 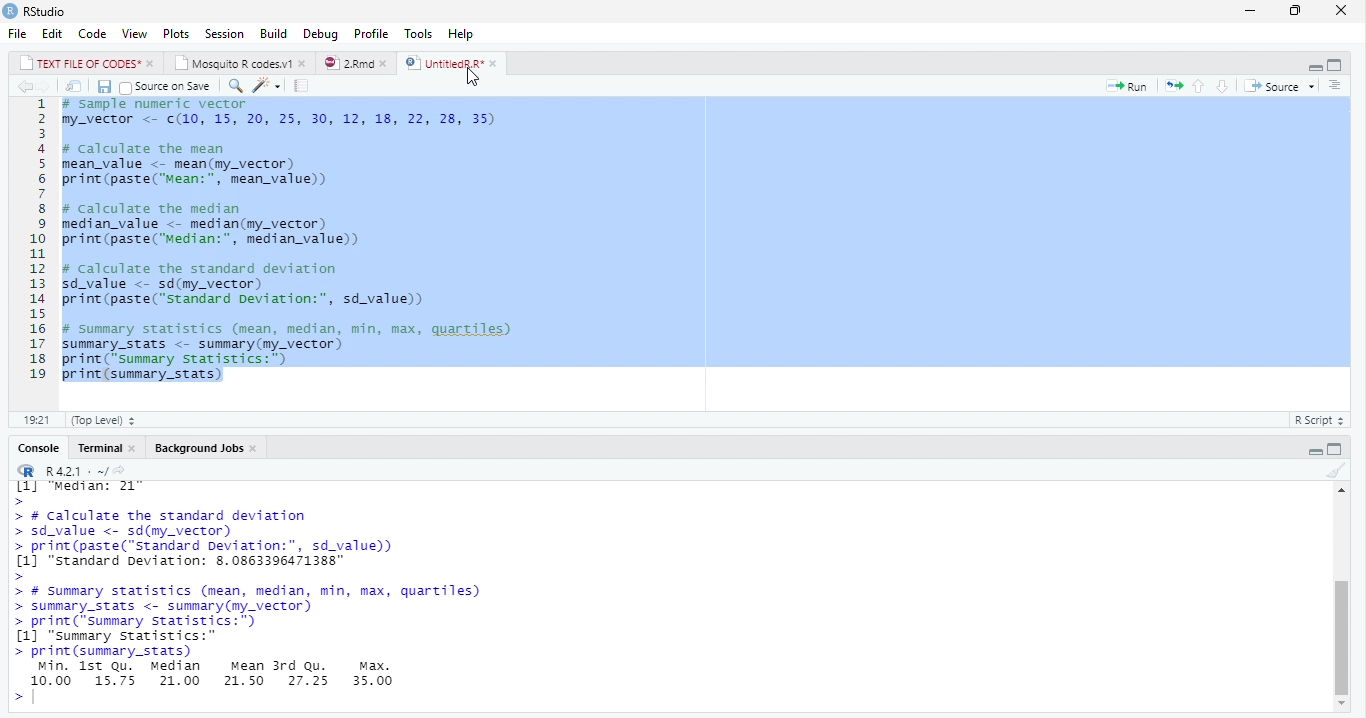 What do you see at coordinates (41, 449) in the screenshot?
I see `Console` at bounding box center [41, 449].